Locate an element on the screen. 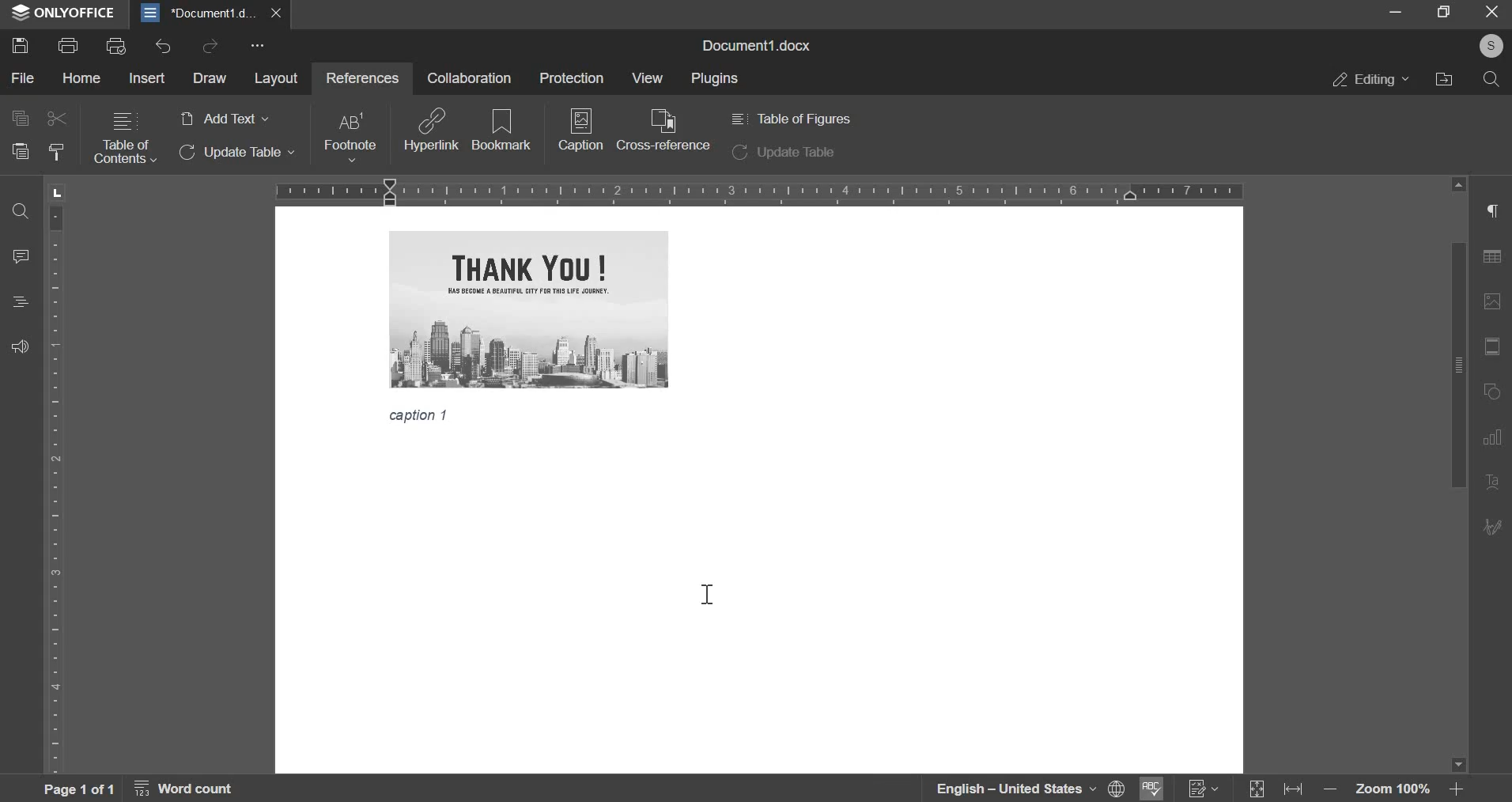  vertical slider is located at coordinates (1457, 475).